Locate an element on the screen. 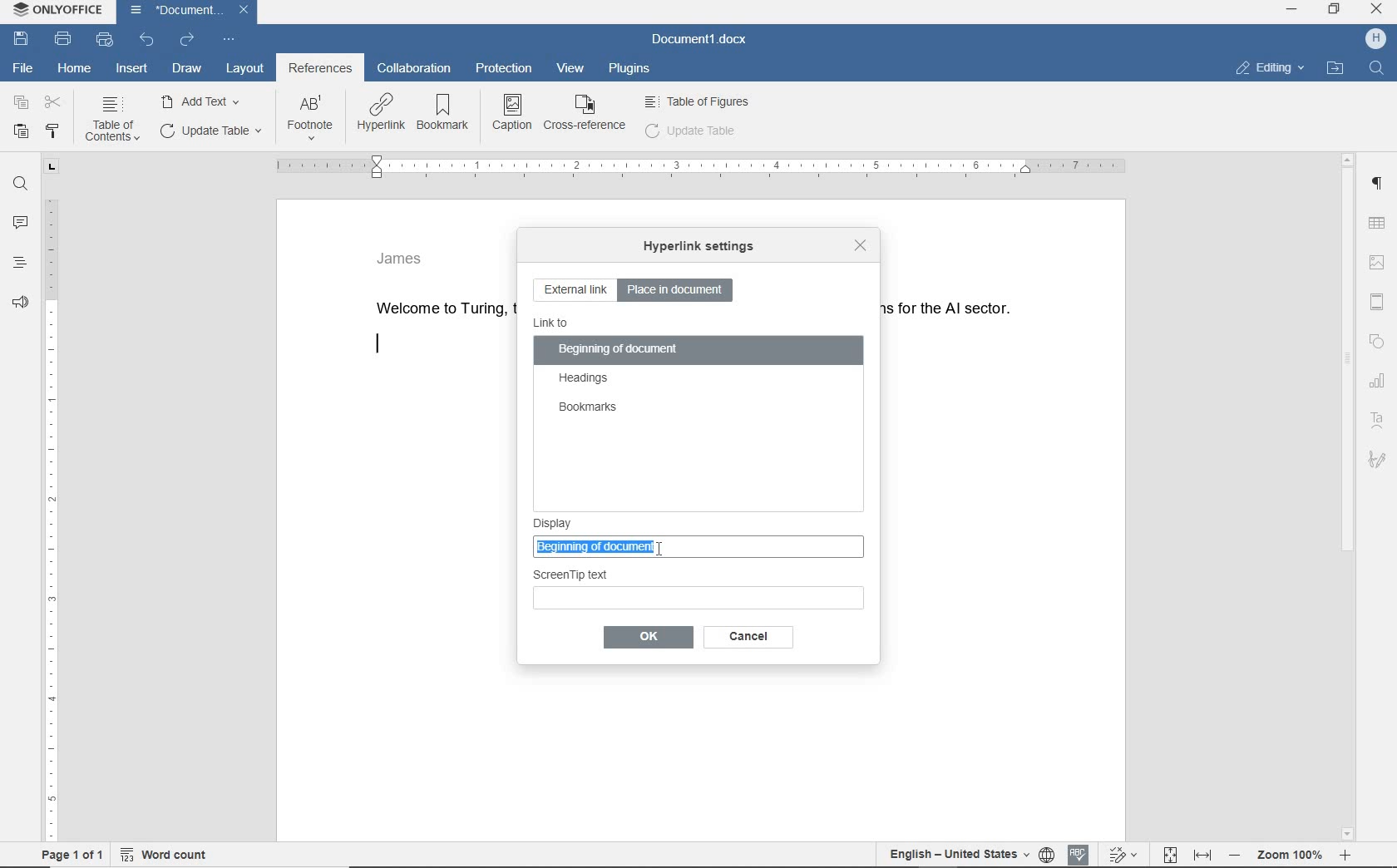  chart is located at coordinates (1379, 383).